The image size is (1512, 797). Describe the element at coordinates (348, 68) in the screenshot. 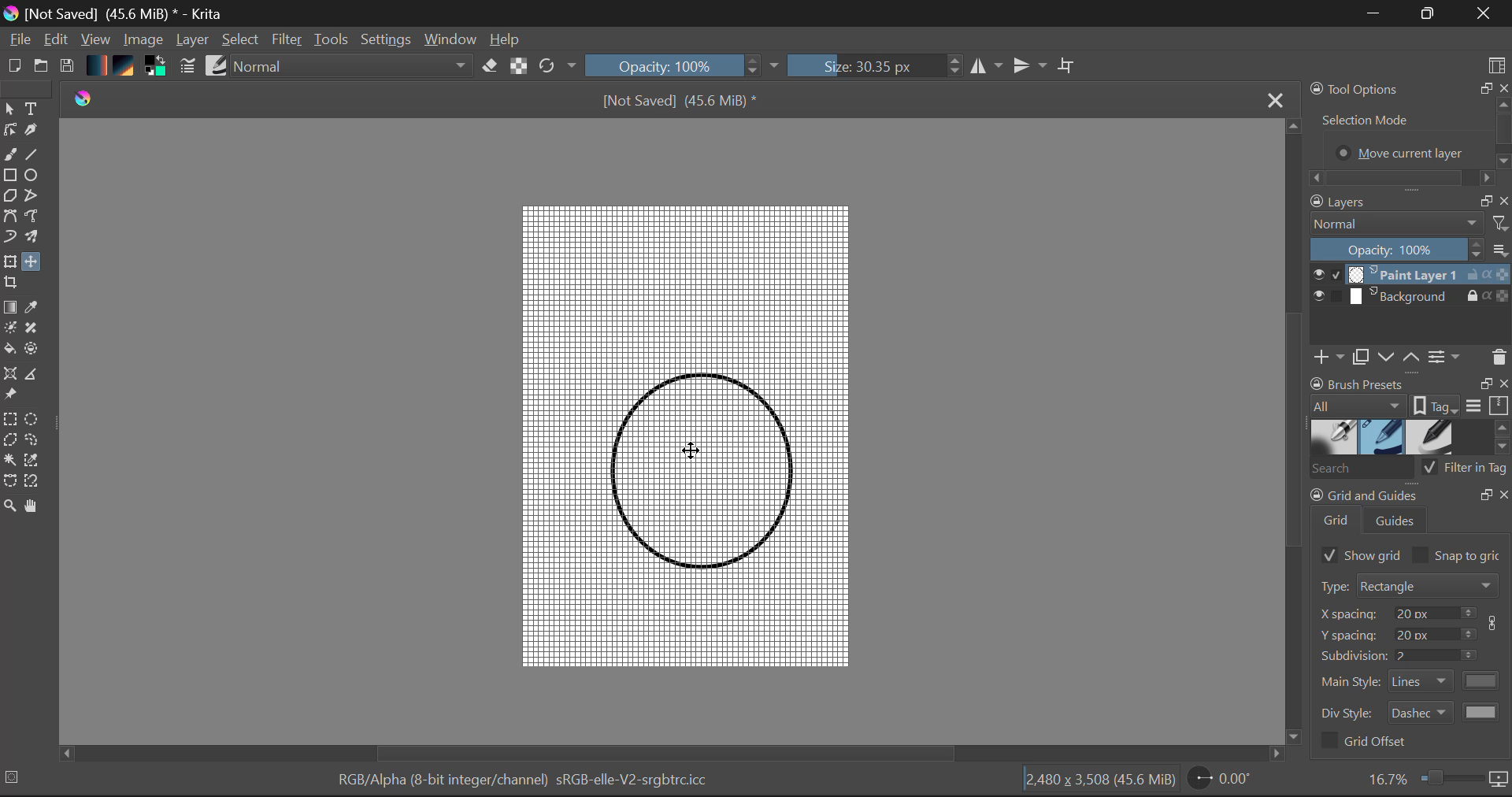

I see `Blending Modes` at that location.